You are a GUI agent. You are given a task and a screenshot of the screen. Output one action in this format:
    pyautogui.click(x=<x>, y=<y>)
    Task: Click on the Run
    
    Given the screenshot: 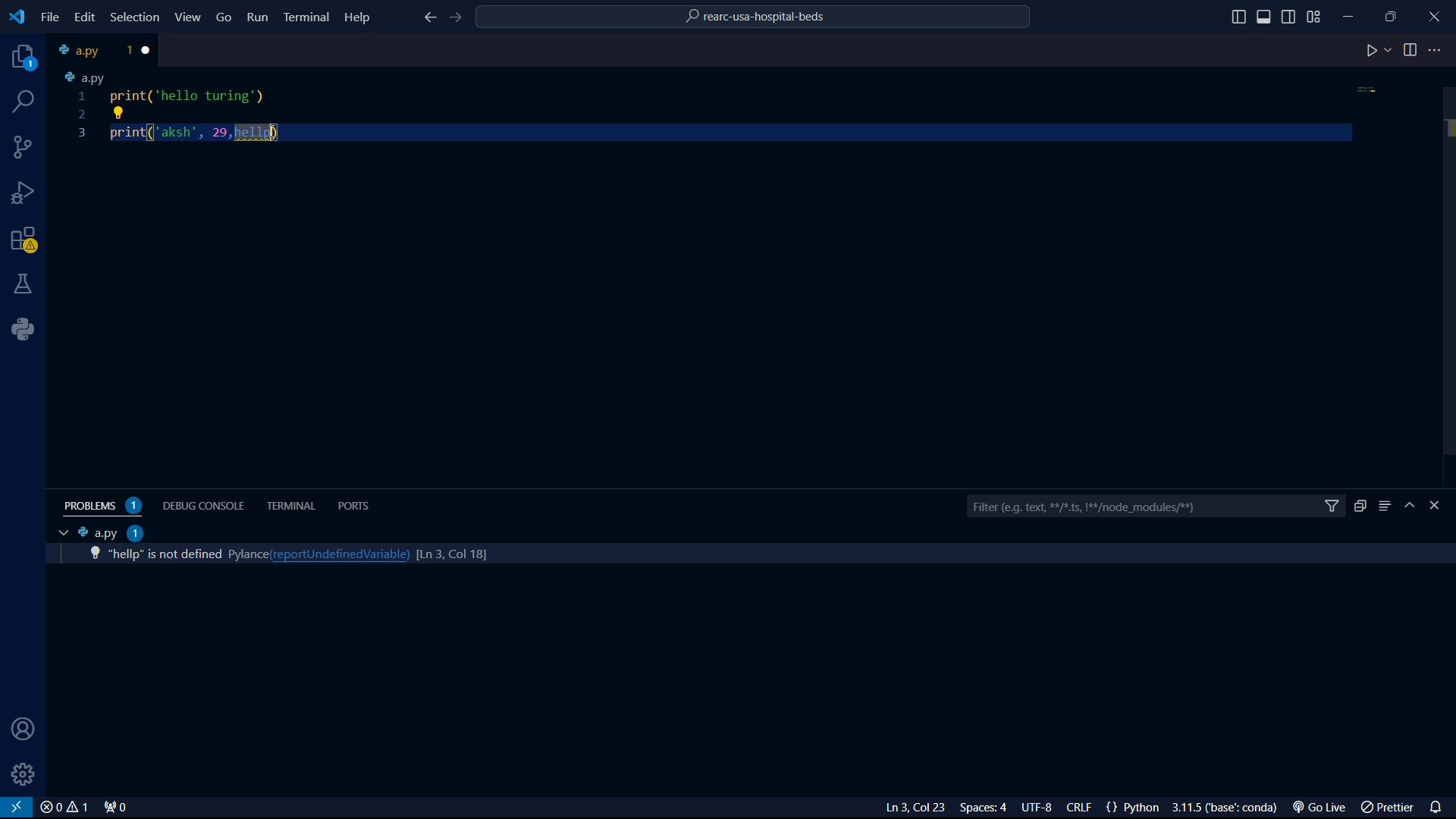 What is the action you would take?
    pyautogui.click(x=259, y=20)
    